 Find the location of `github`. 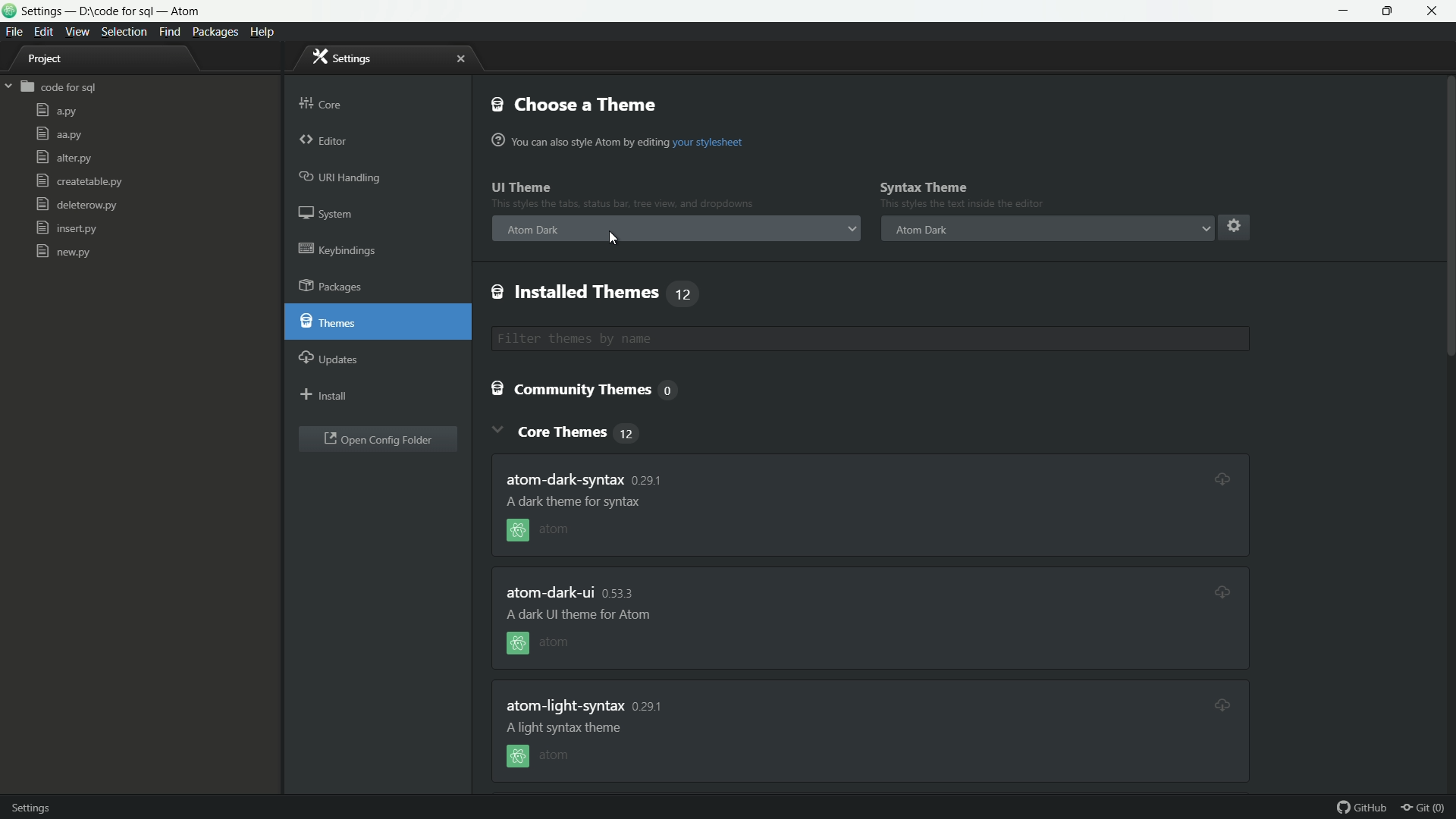

github is located at coordinates (1363, 808).